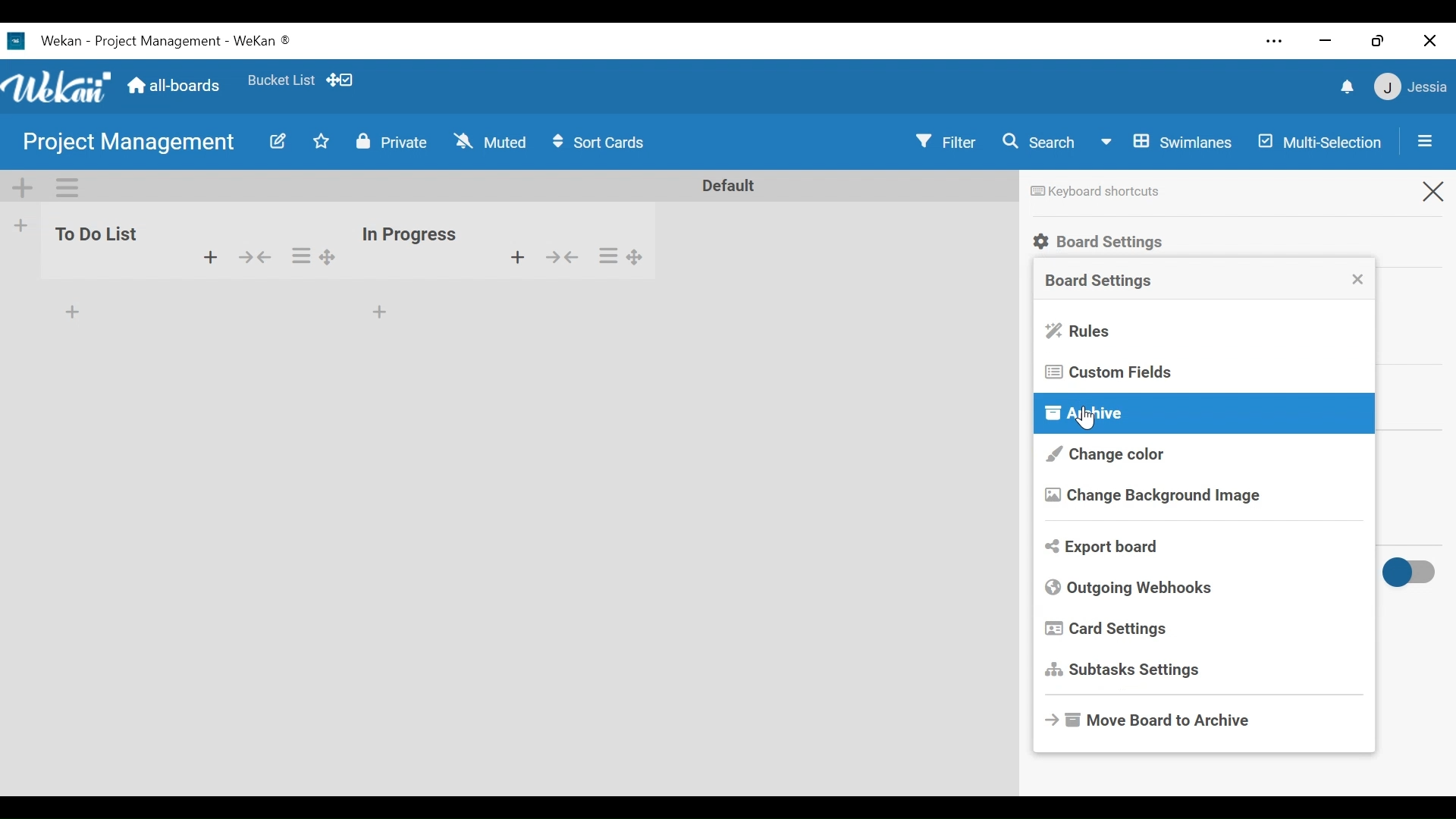 Image resolution: width=1456 pixels, height=819 pixels. I want to click on Board Name, so click(129, 141).